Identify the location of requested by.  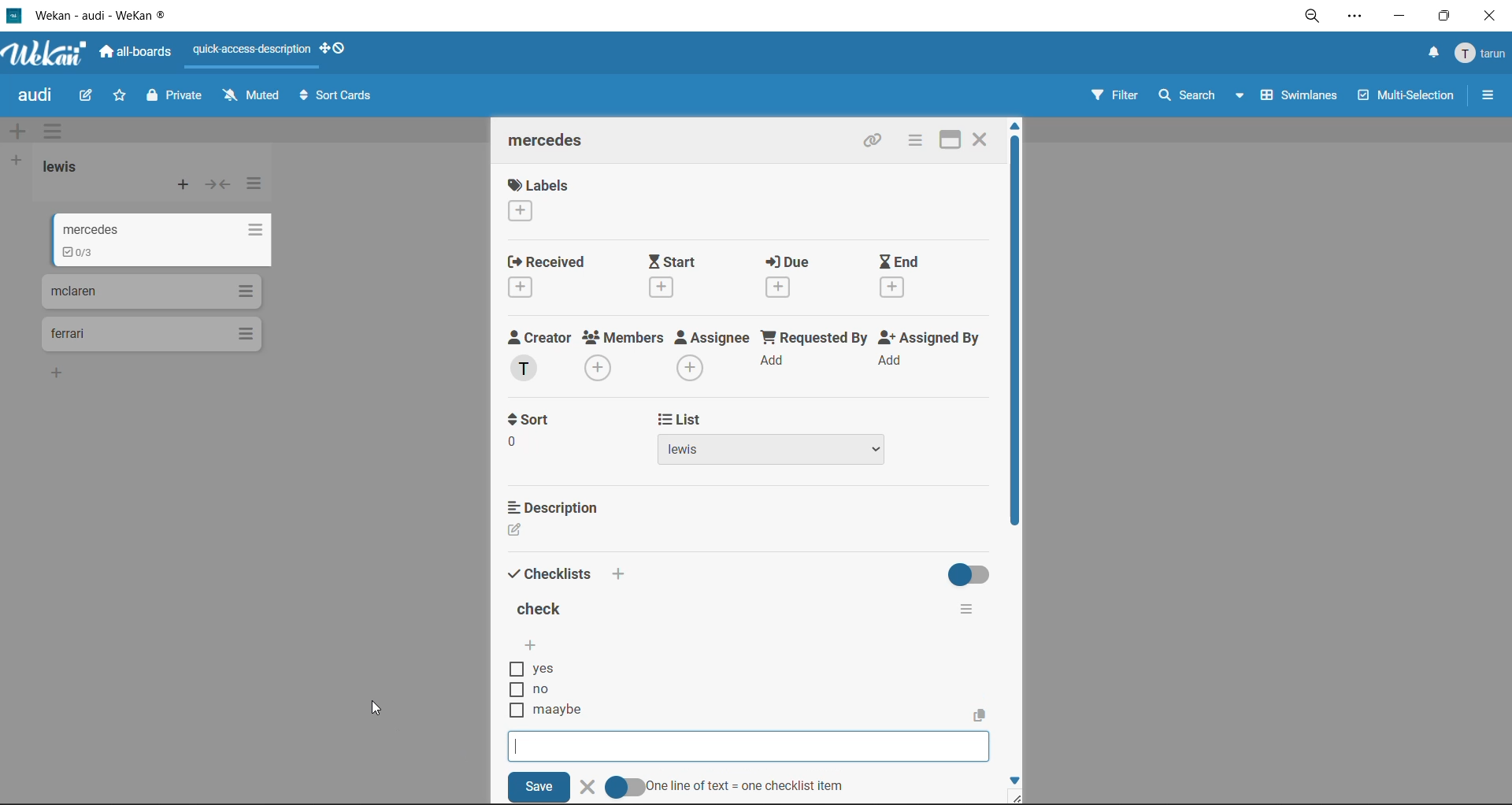
(813, 354).